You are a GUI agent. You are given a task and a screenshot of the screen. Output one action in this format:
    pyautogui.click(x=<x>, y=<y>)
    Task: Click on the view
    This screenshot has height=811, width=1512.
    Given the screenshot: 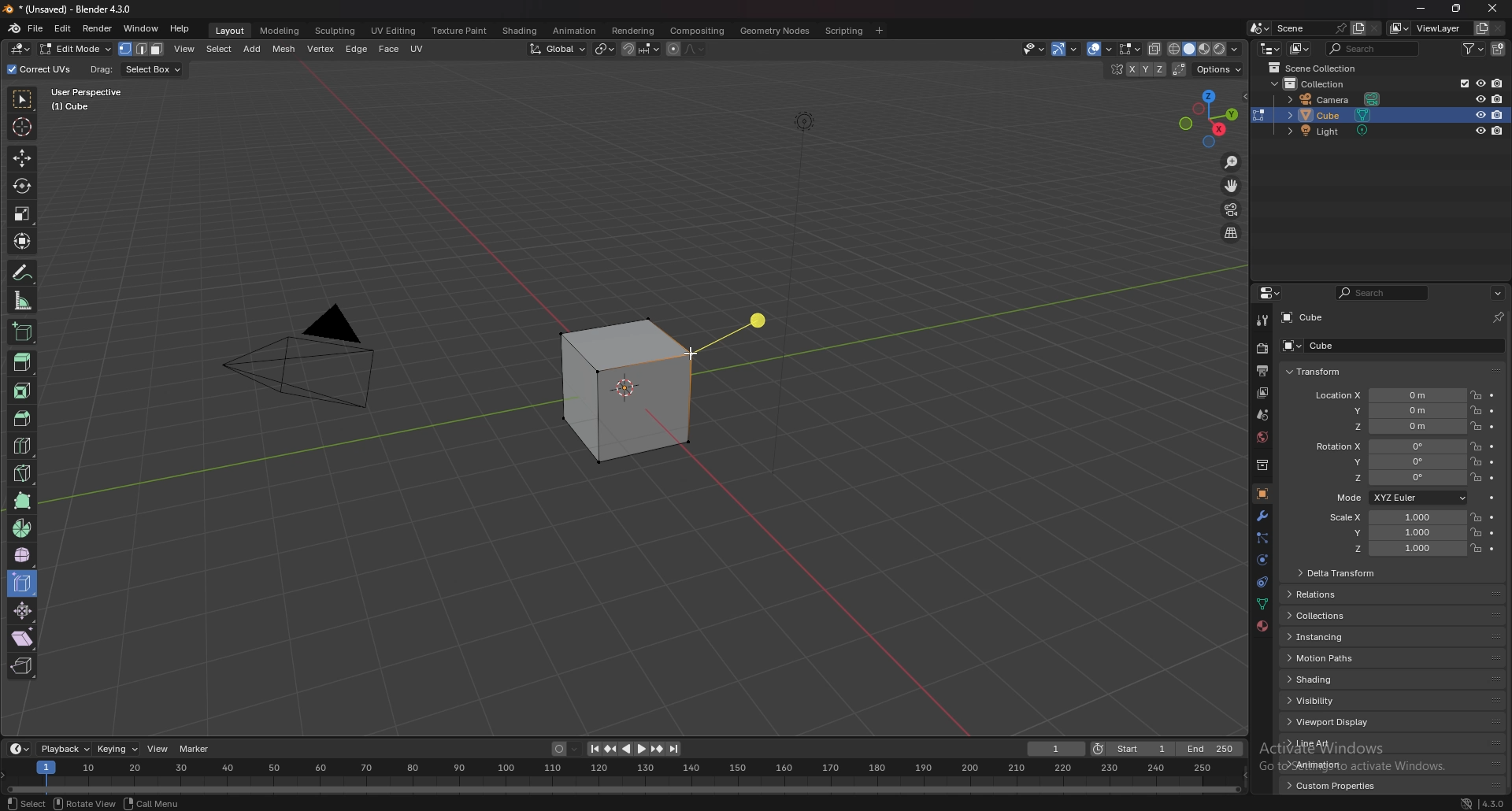 What is the action you would take?
    pyautogui.click(x=157, y=747)
    